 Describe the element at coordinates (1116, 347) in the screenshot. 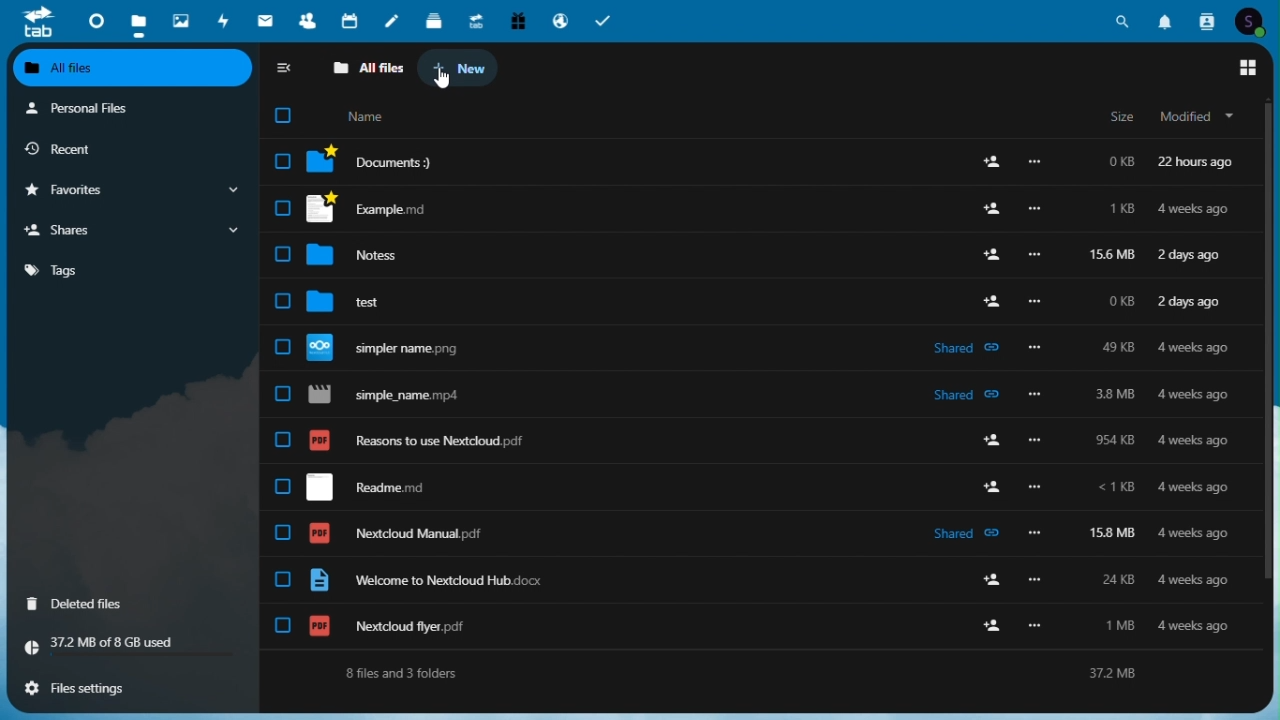

I see `49kb` at that location.